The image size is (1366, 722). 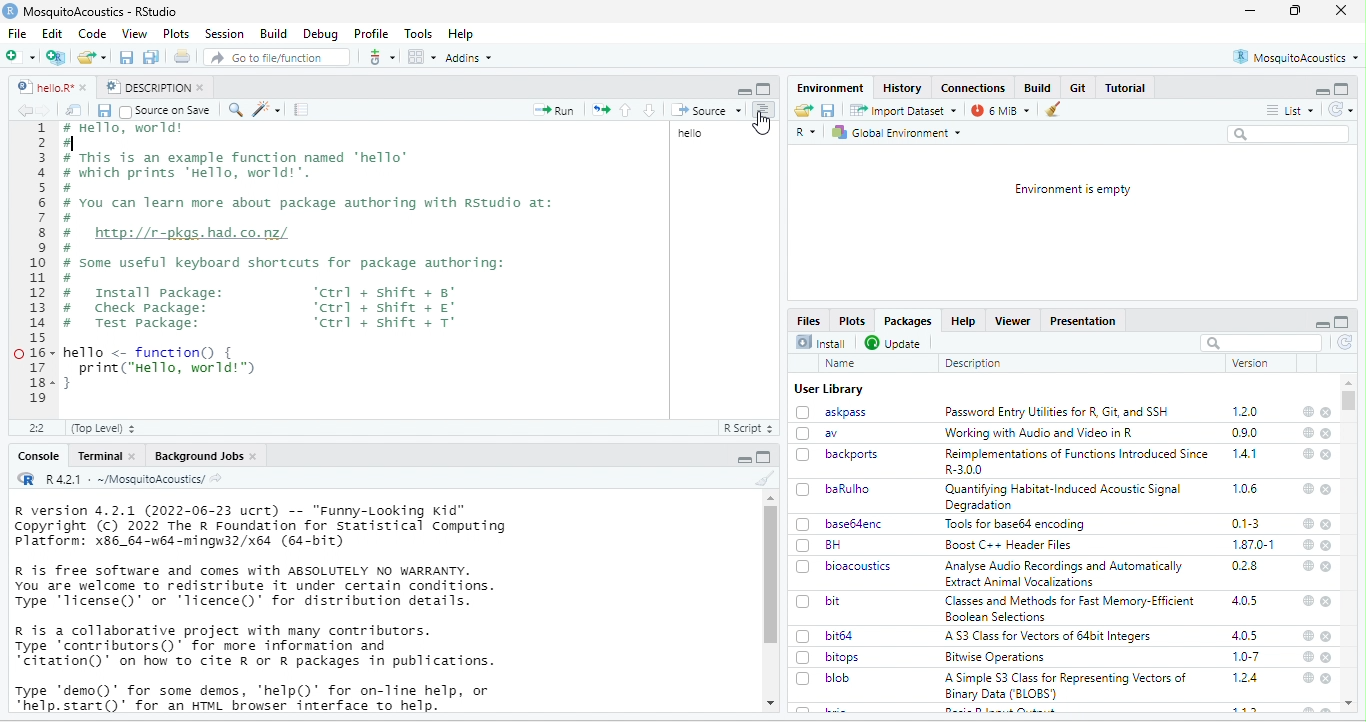 I want to click on Files, so click(x=808, y=319).